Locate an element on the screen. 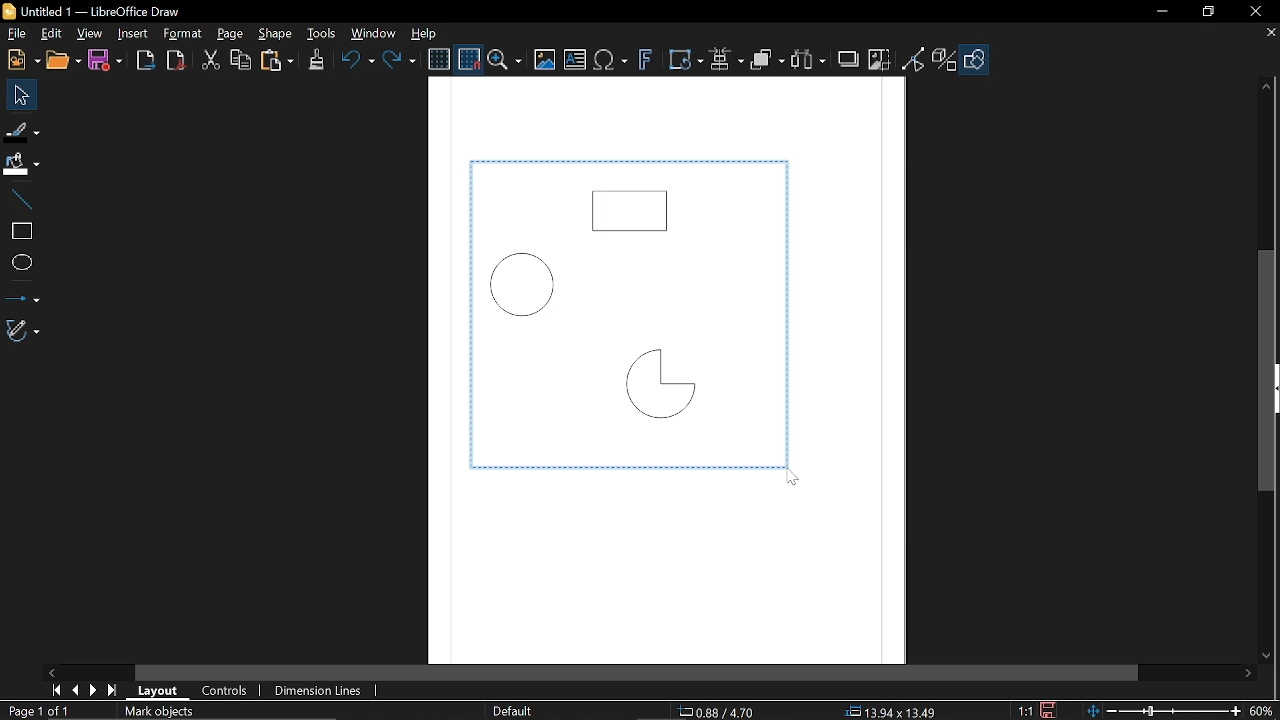  Insert text is located at coordinates (574, 60).